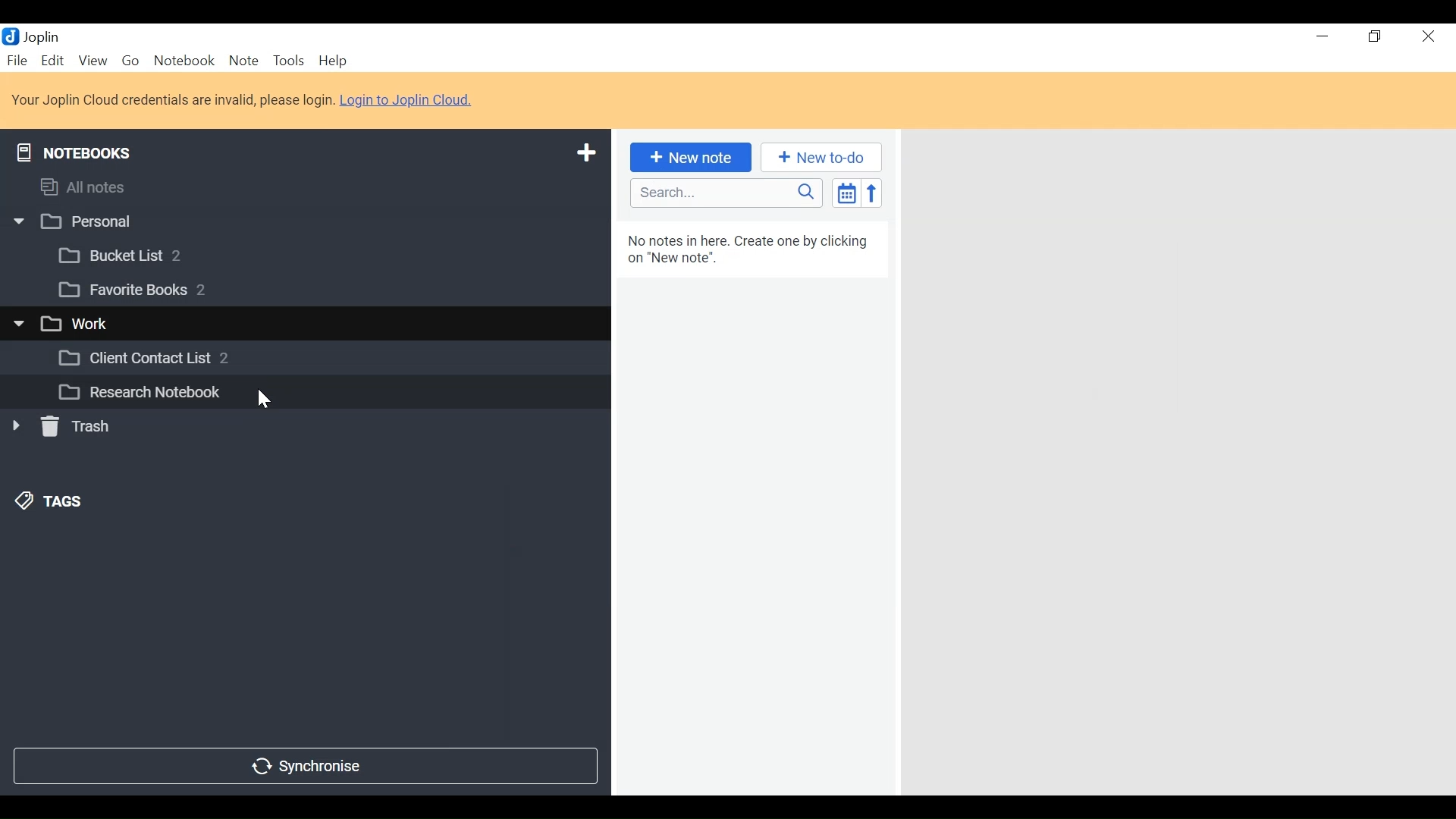  What do you see at coordinates (166, 362) in the screenshot?
I see `[3 Client Contact List 2` at bounding box center [166, 362].